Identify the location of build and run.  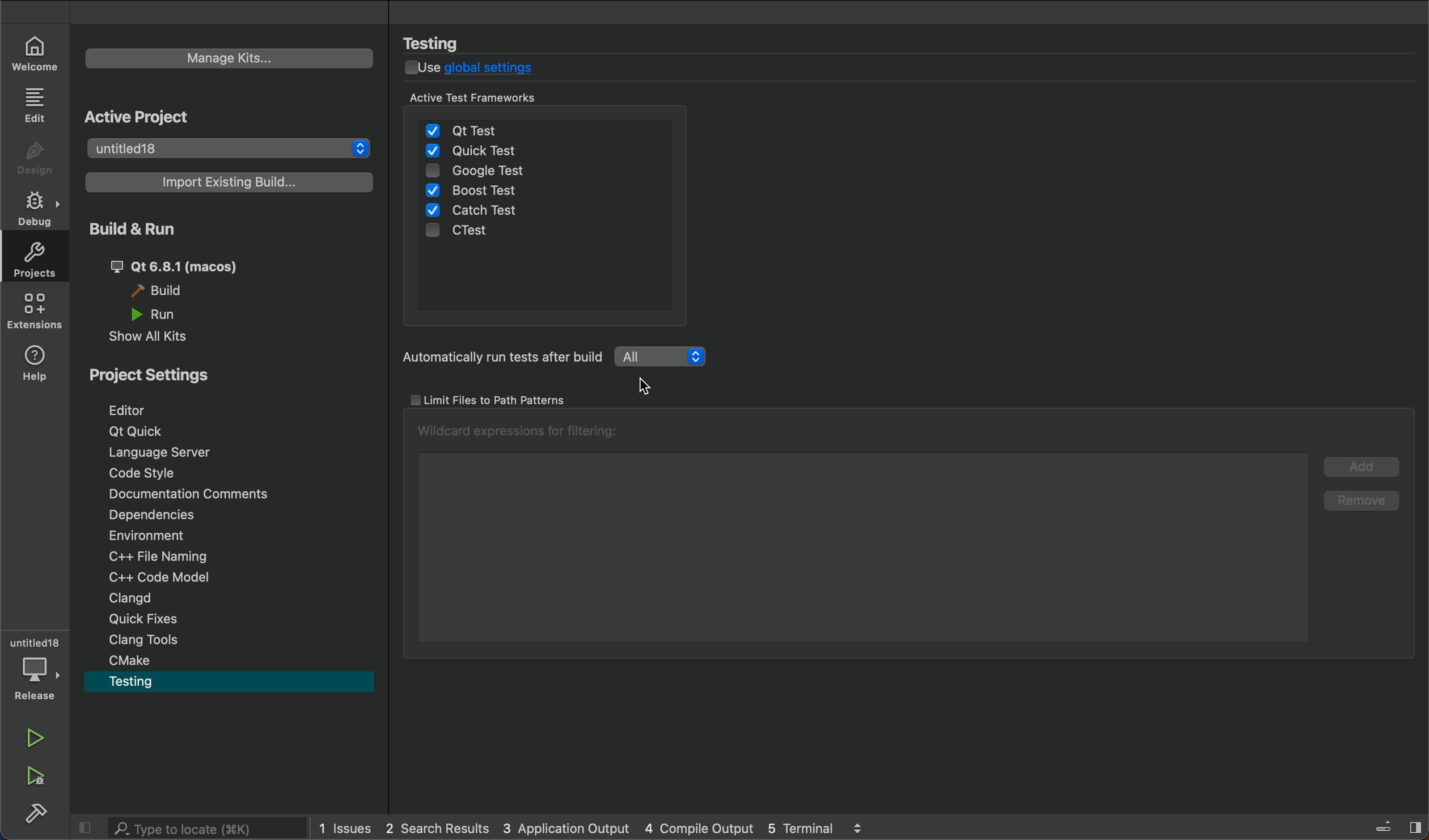
(147, 230).